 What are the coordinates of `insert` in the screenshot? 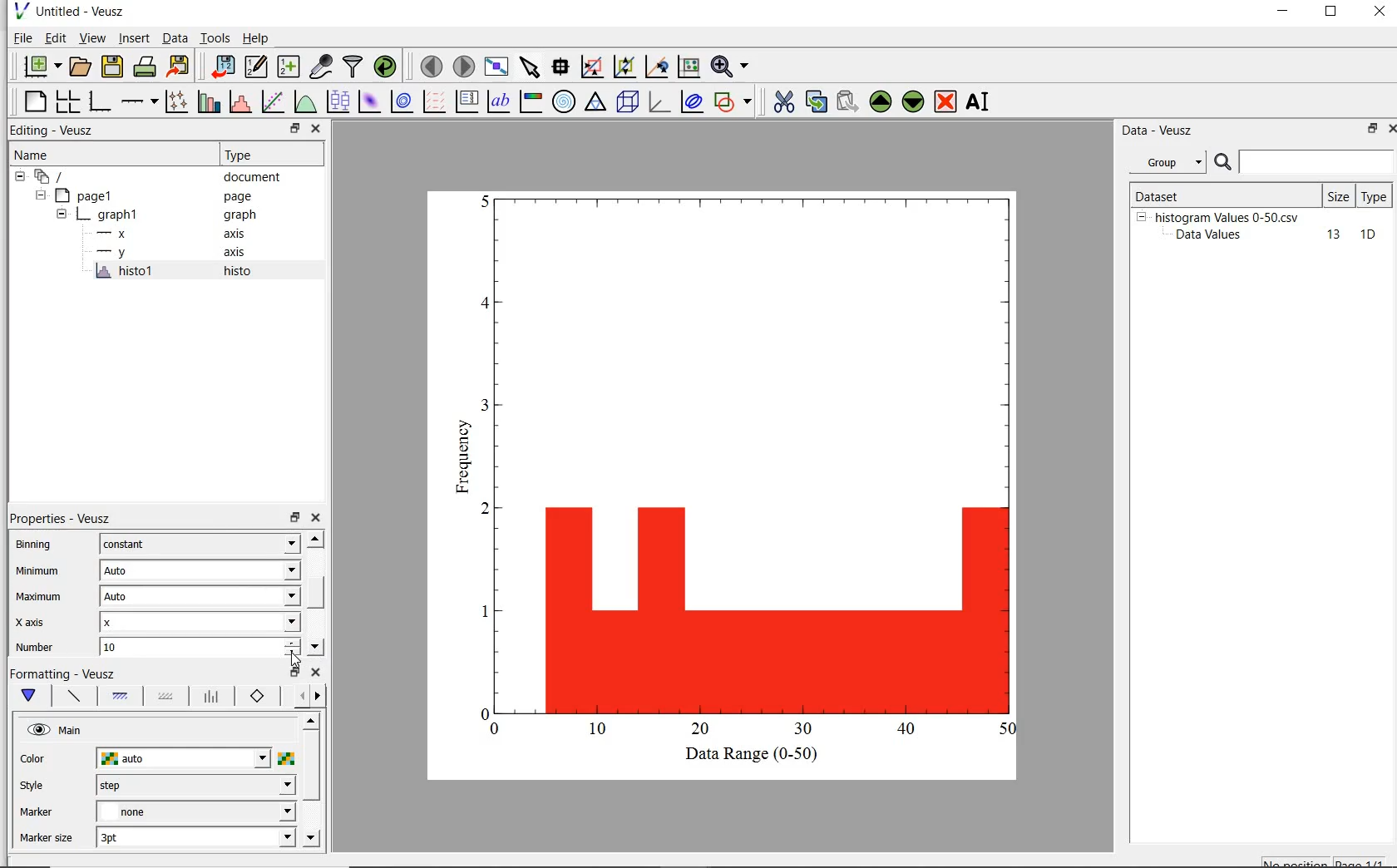 It's located at (134, 38).